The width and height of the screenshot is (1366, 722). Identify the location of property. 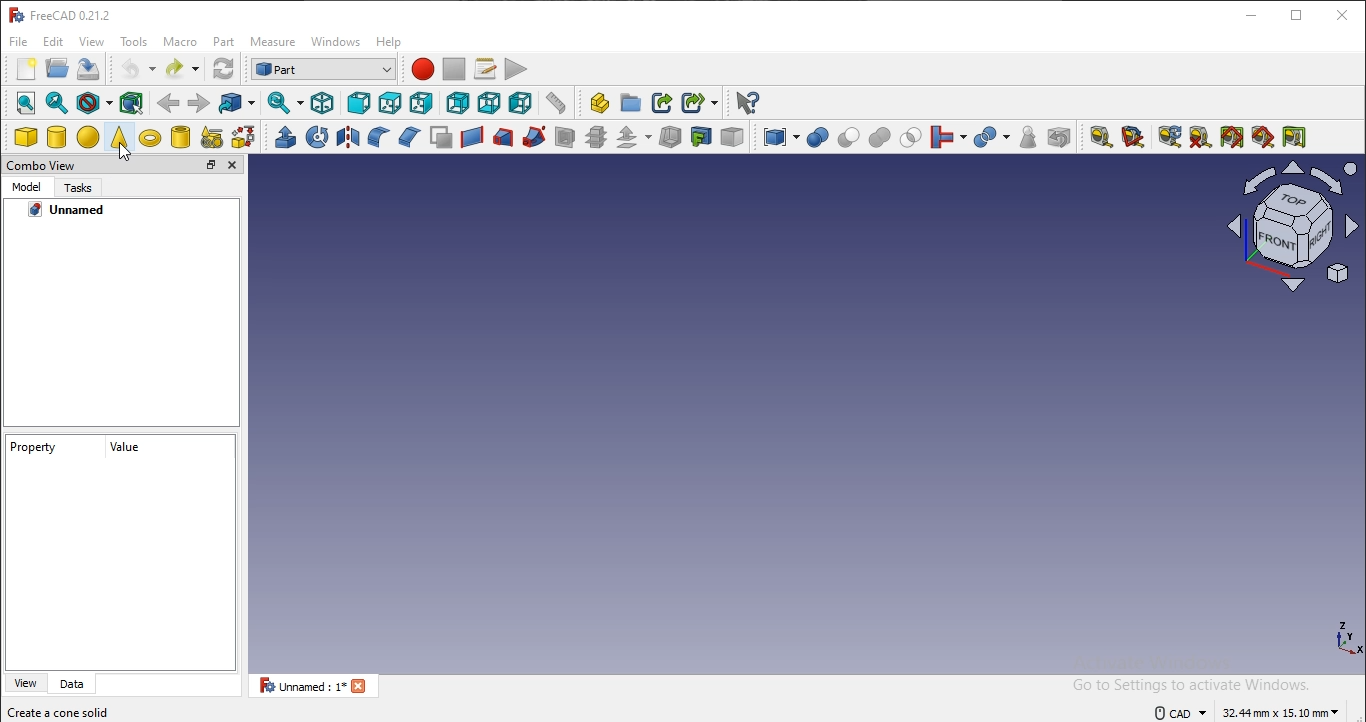
(33, 447).